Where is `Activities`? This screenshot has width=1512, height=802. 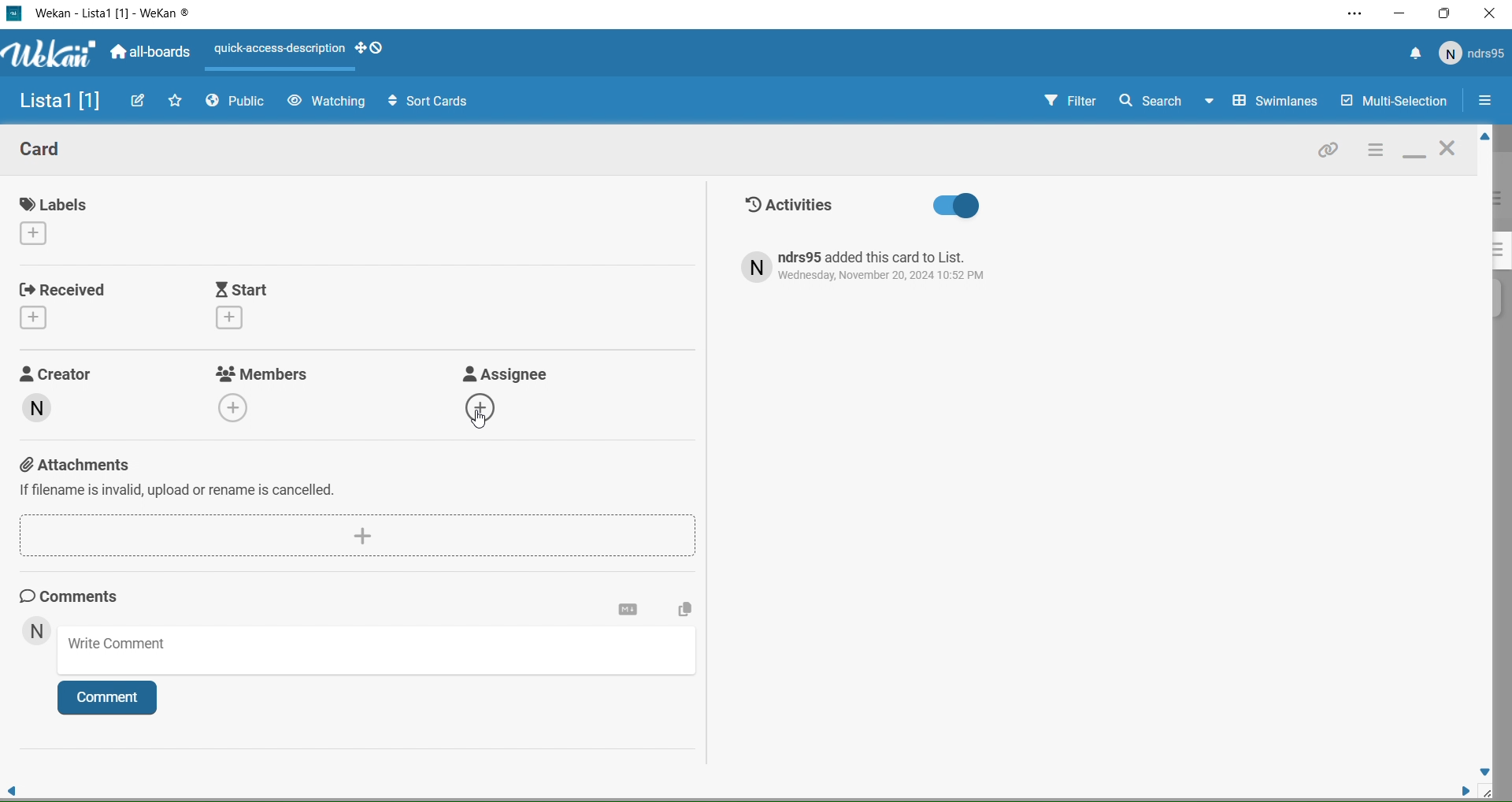 Activities is located at coordinates (862, 206).